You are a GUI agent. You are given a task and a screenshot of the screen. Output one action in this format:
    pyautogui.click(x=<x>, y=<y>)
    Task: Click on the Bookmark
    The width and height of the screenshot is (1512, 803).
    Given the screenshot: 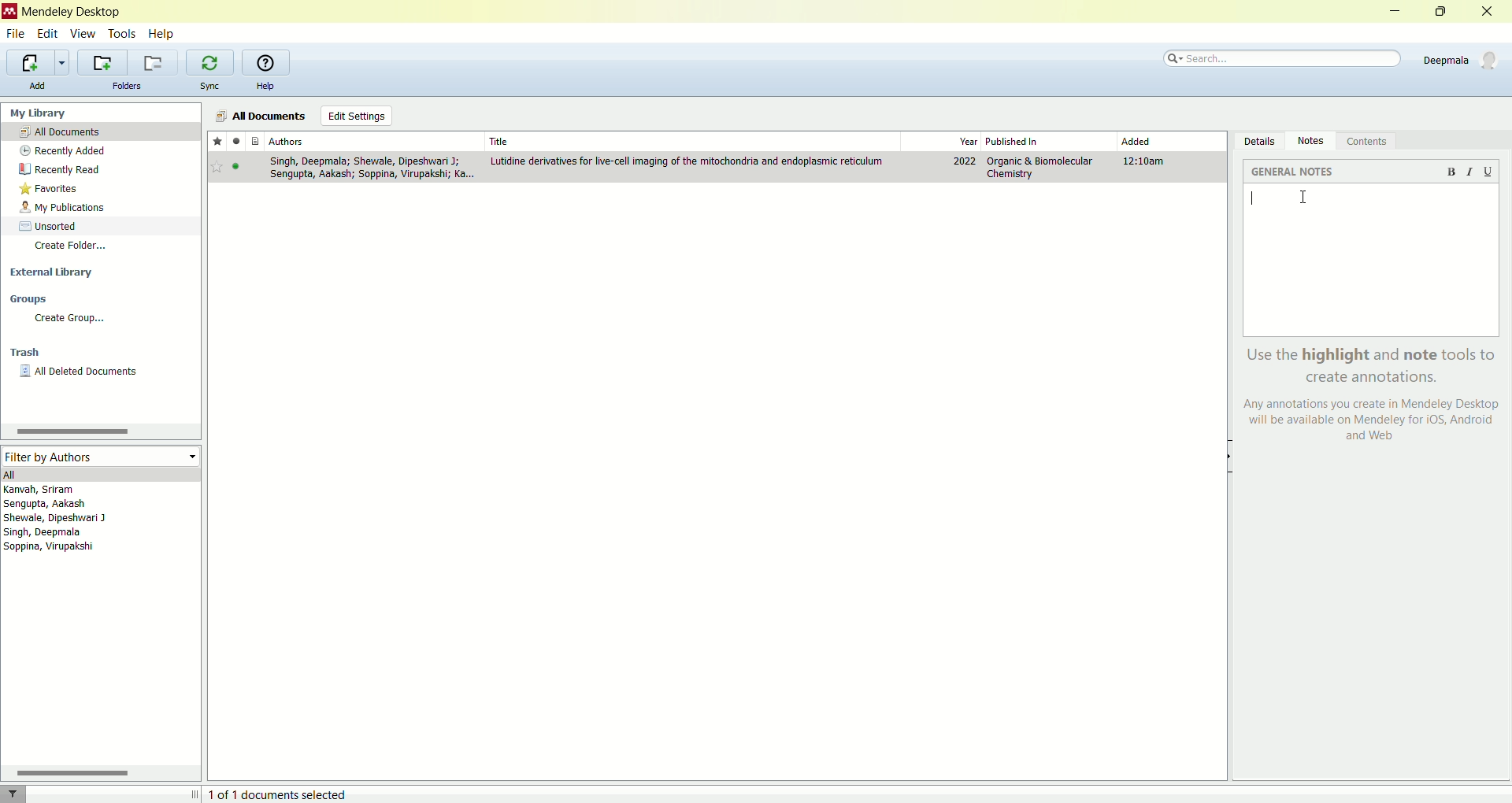 What is the action you would take?
    pyautogui.click(x=217, y=168)
    